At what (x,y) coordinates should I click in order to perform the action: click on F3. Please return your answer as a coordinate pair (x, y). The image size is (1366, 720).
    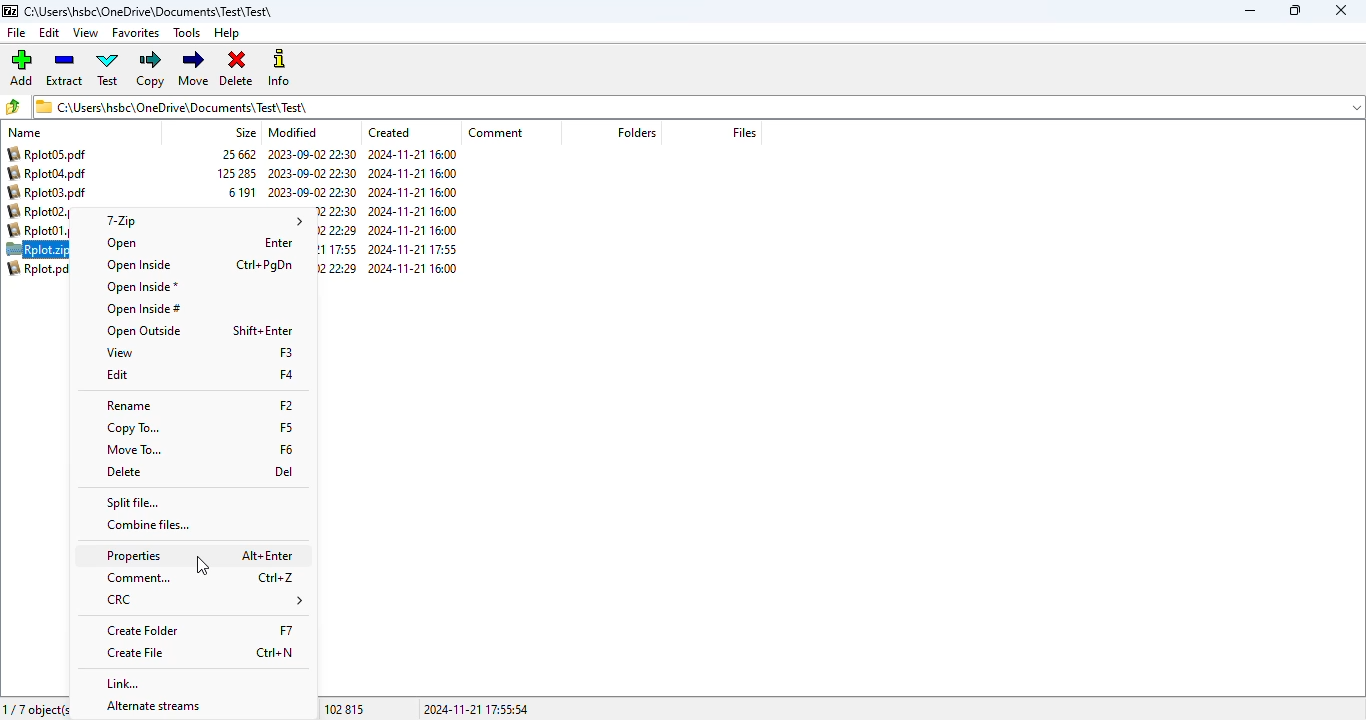
    Looking at the image, I should click on (286, 353).